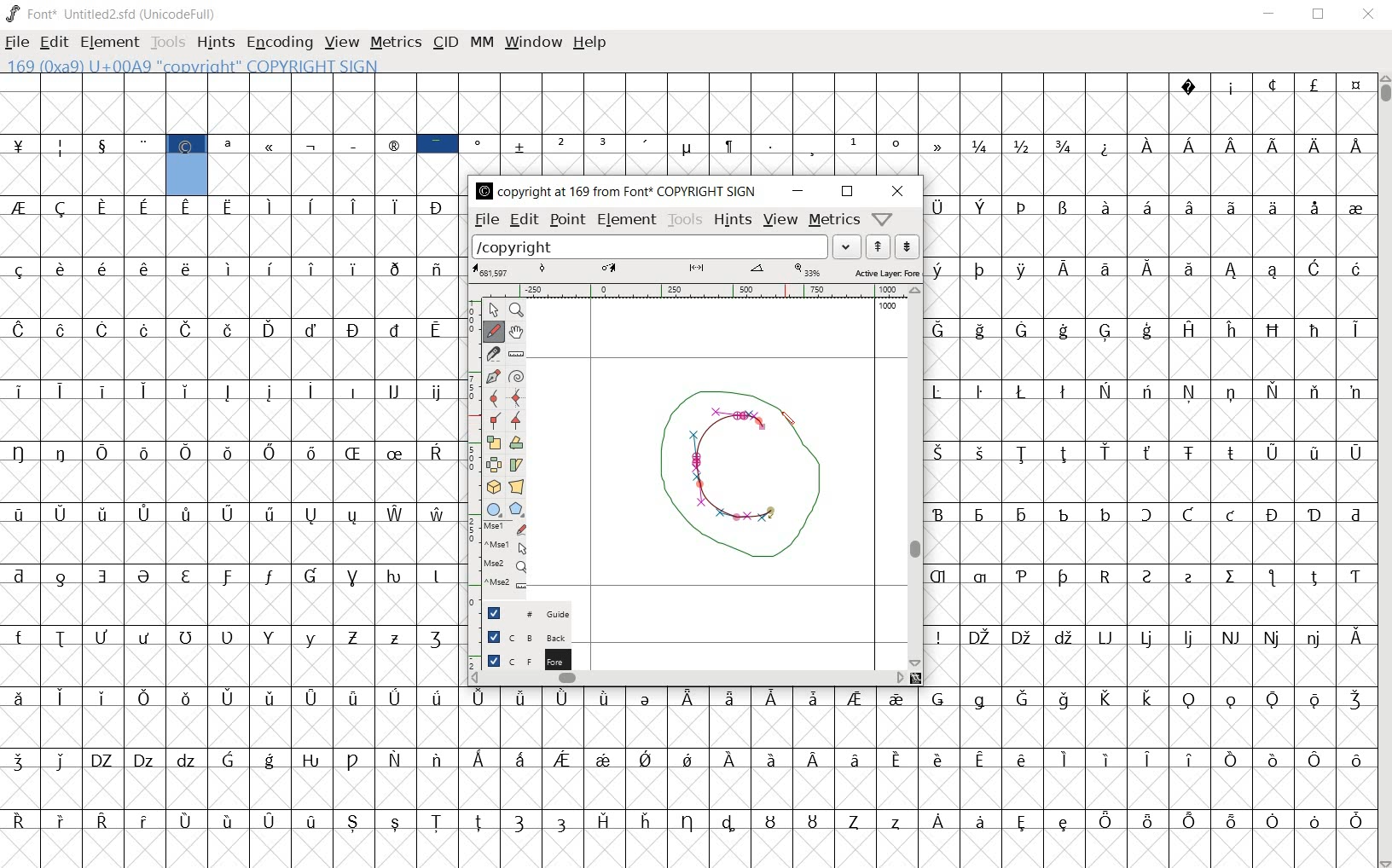  Describe the element at coordinates (531, 42) in the screenshot. I see `window` at that location.